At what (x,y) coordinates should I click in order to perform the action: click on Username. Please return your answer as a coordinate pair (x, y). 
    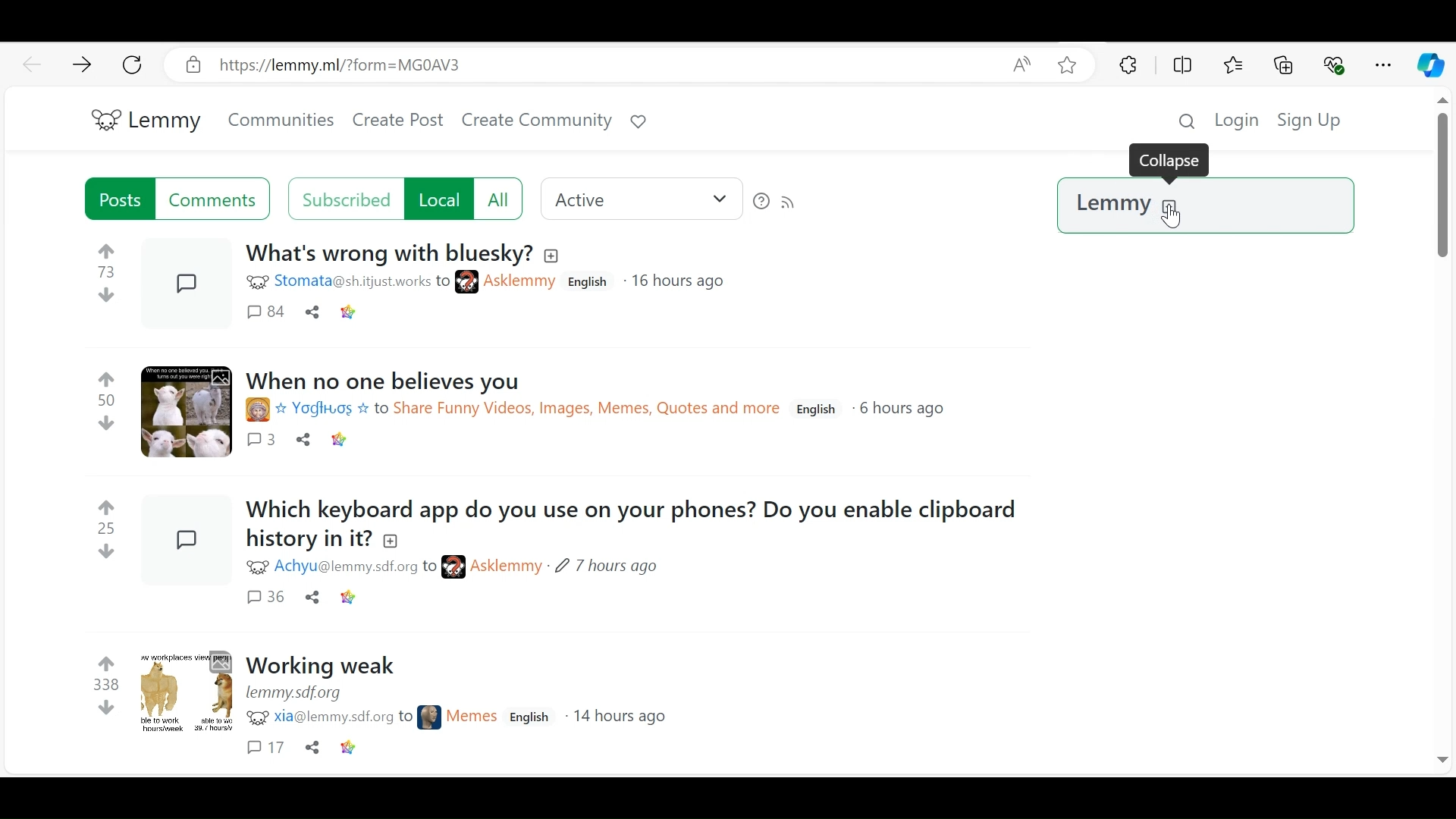
    Looking at the image, I should click on (474, 716).